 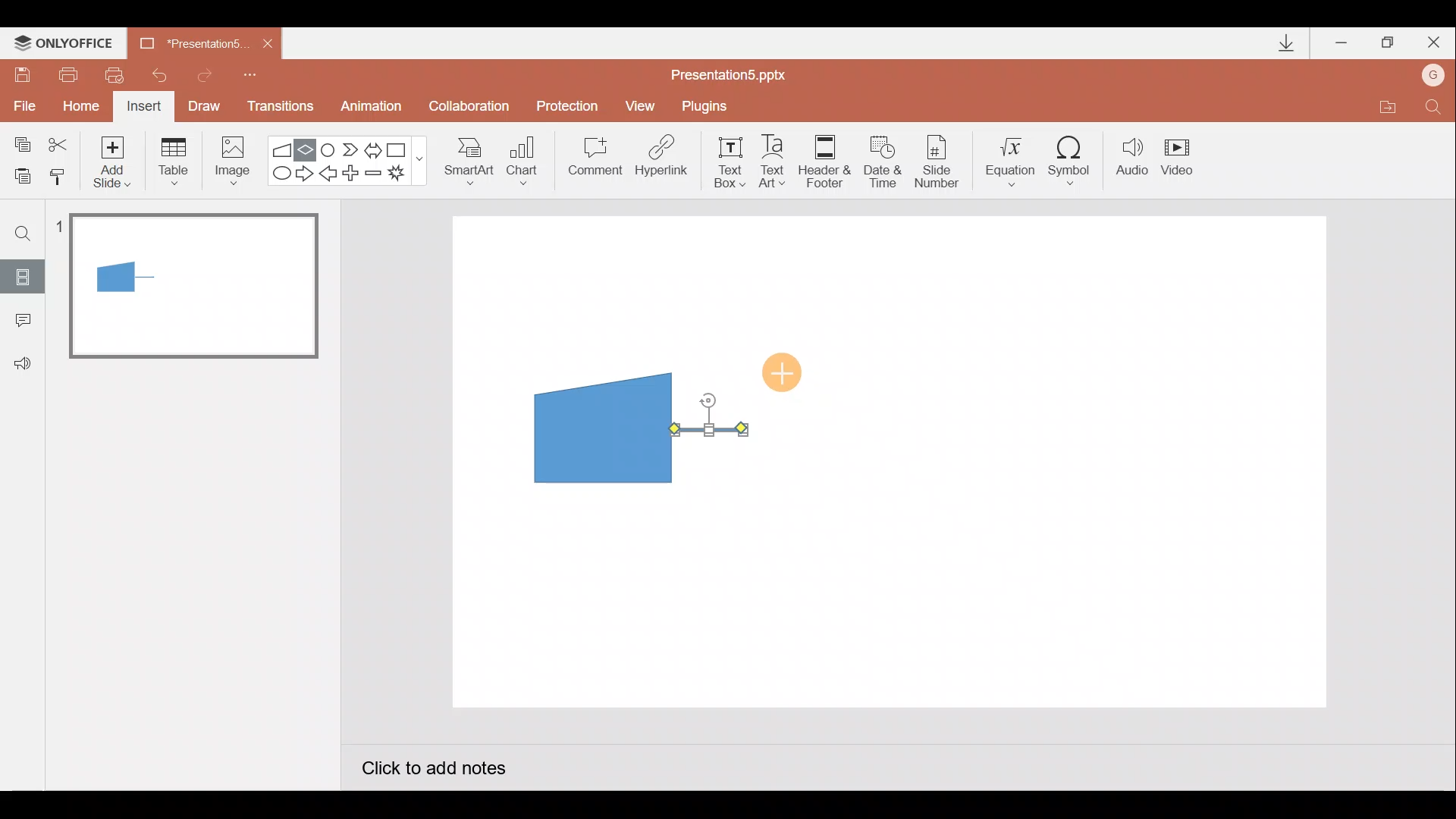 I want to click on Customize quick access toolbar, so click(x=250, y=73).